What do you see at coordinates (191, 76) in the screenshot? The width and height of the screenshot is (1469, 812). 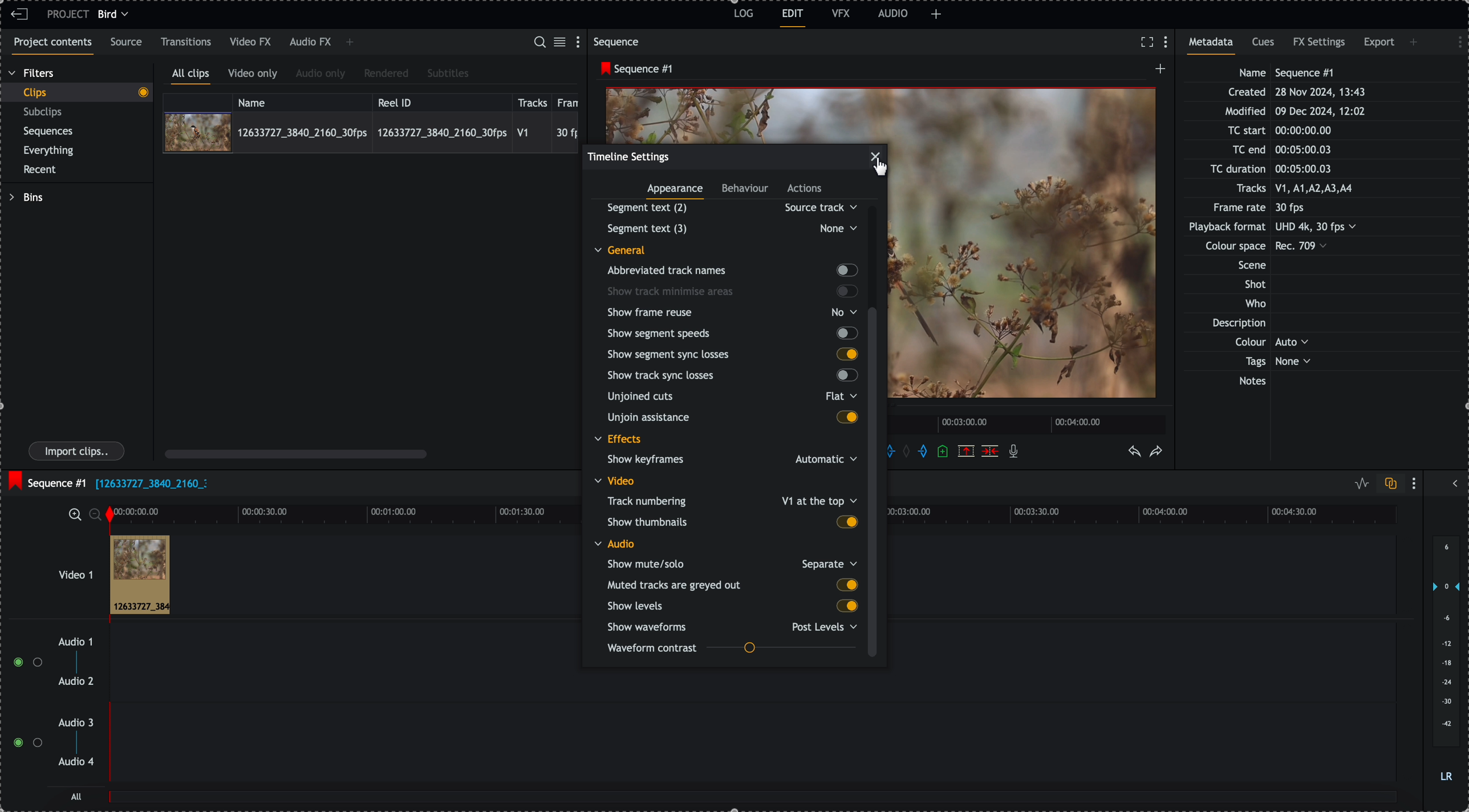 I see `all clips` at bounding box center [191, 76].